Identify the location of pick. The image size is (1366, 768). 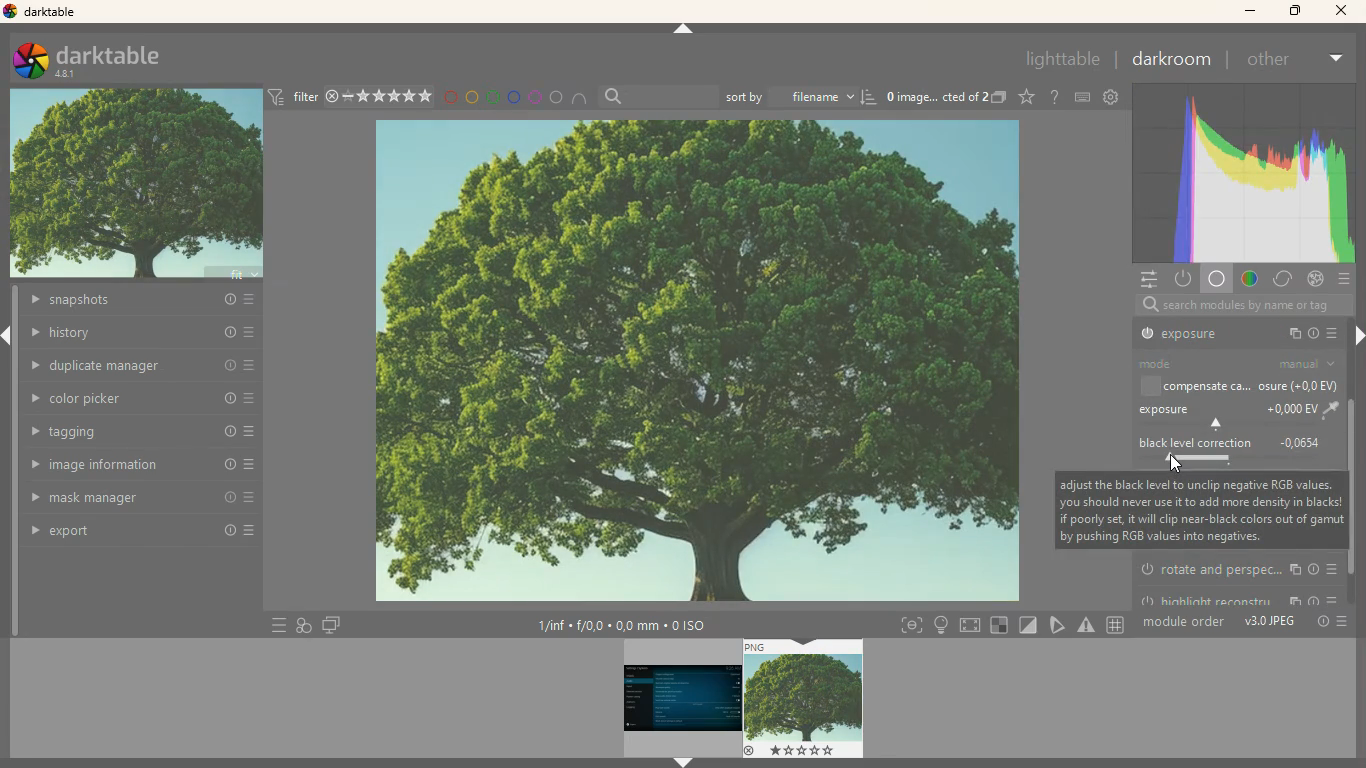
(1057, 625).